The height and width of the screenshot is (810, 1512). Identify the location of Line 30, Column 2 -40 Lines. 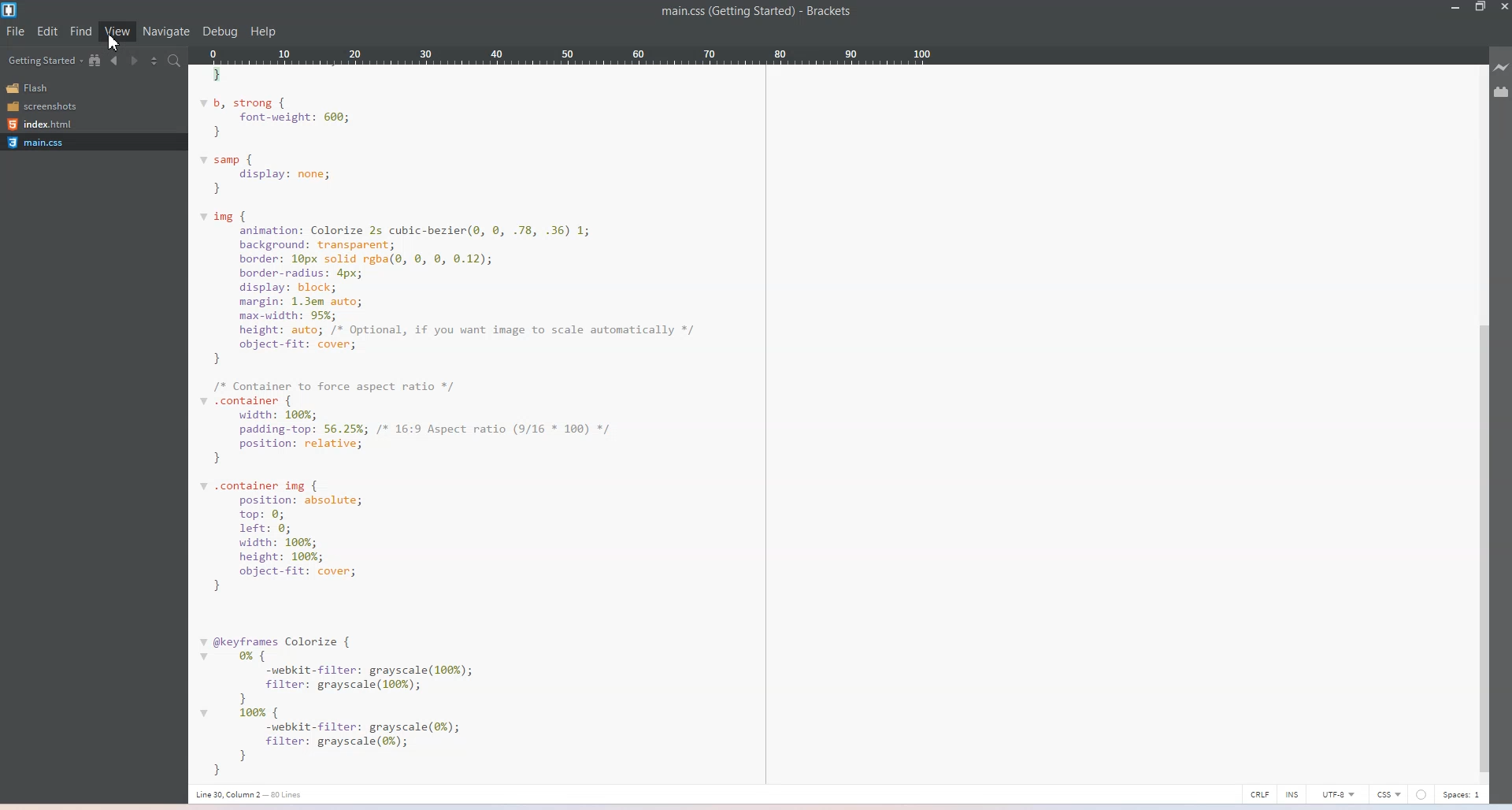
(261, 793).